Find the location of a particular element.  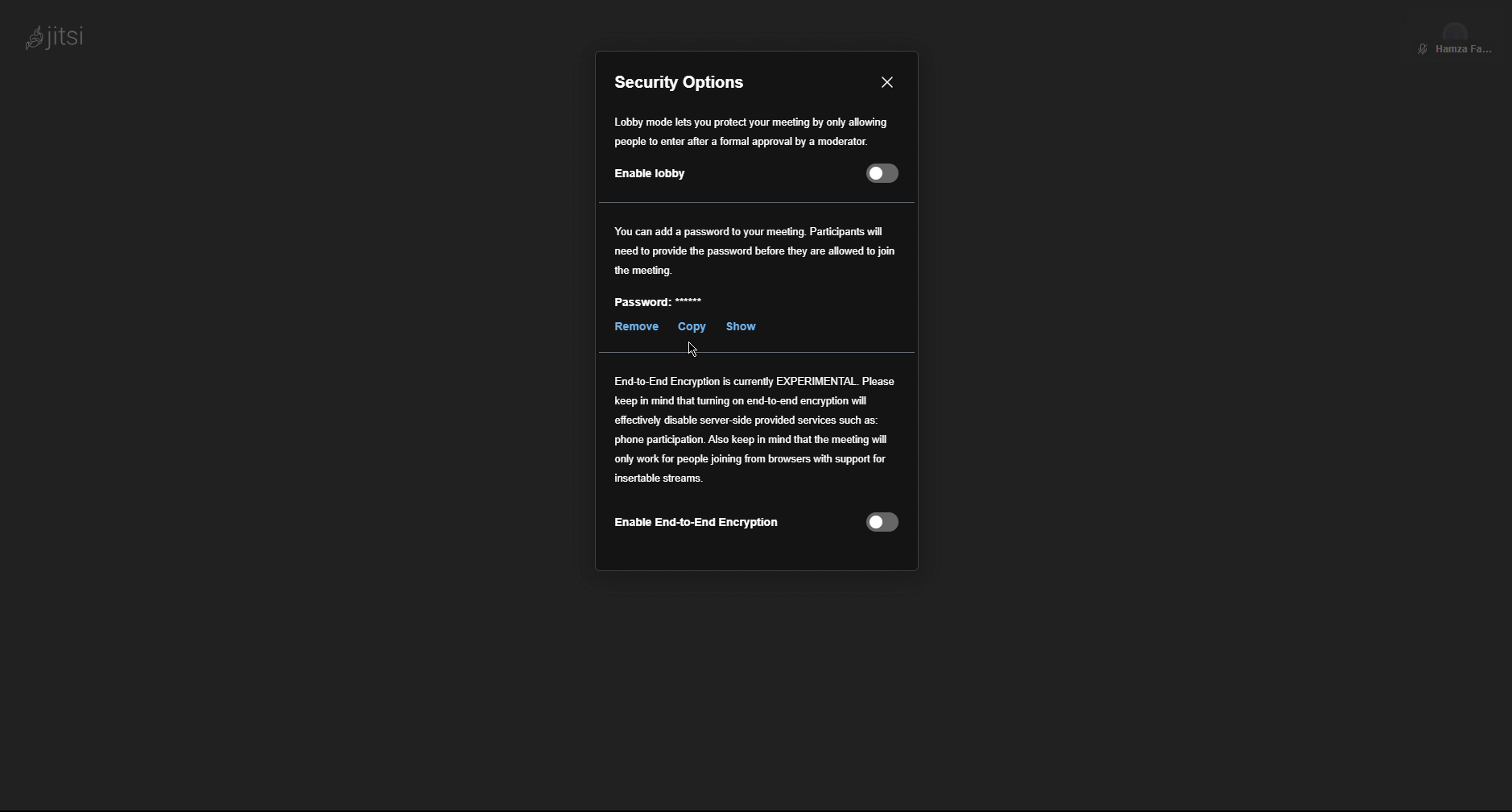

Participant View is located at coordinates (1456, 34).